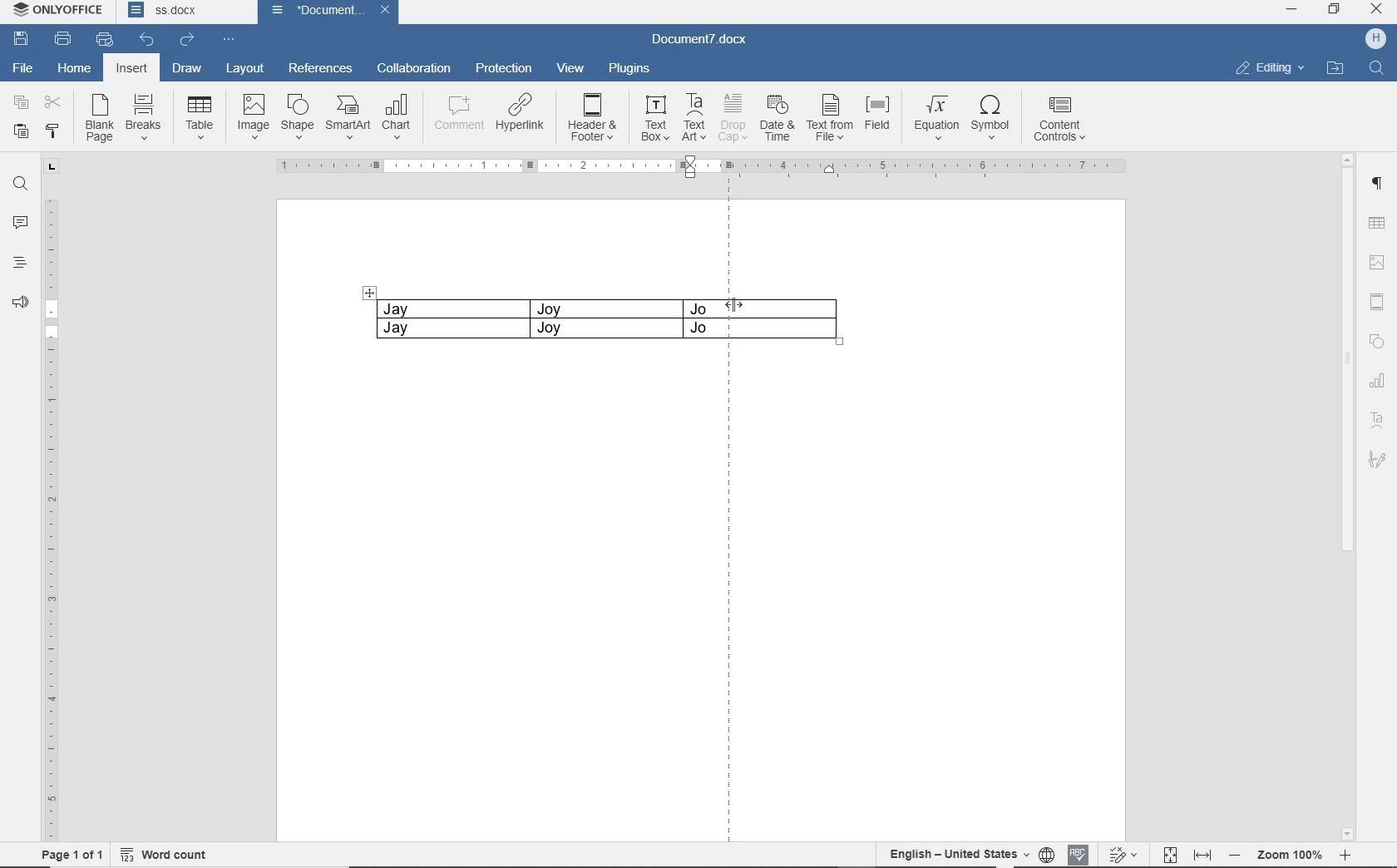  I want to click on HYPERLINK, so click(521, 116).